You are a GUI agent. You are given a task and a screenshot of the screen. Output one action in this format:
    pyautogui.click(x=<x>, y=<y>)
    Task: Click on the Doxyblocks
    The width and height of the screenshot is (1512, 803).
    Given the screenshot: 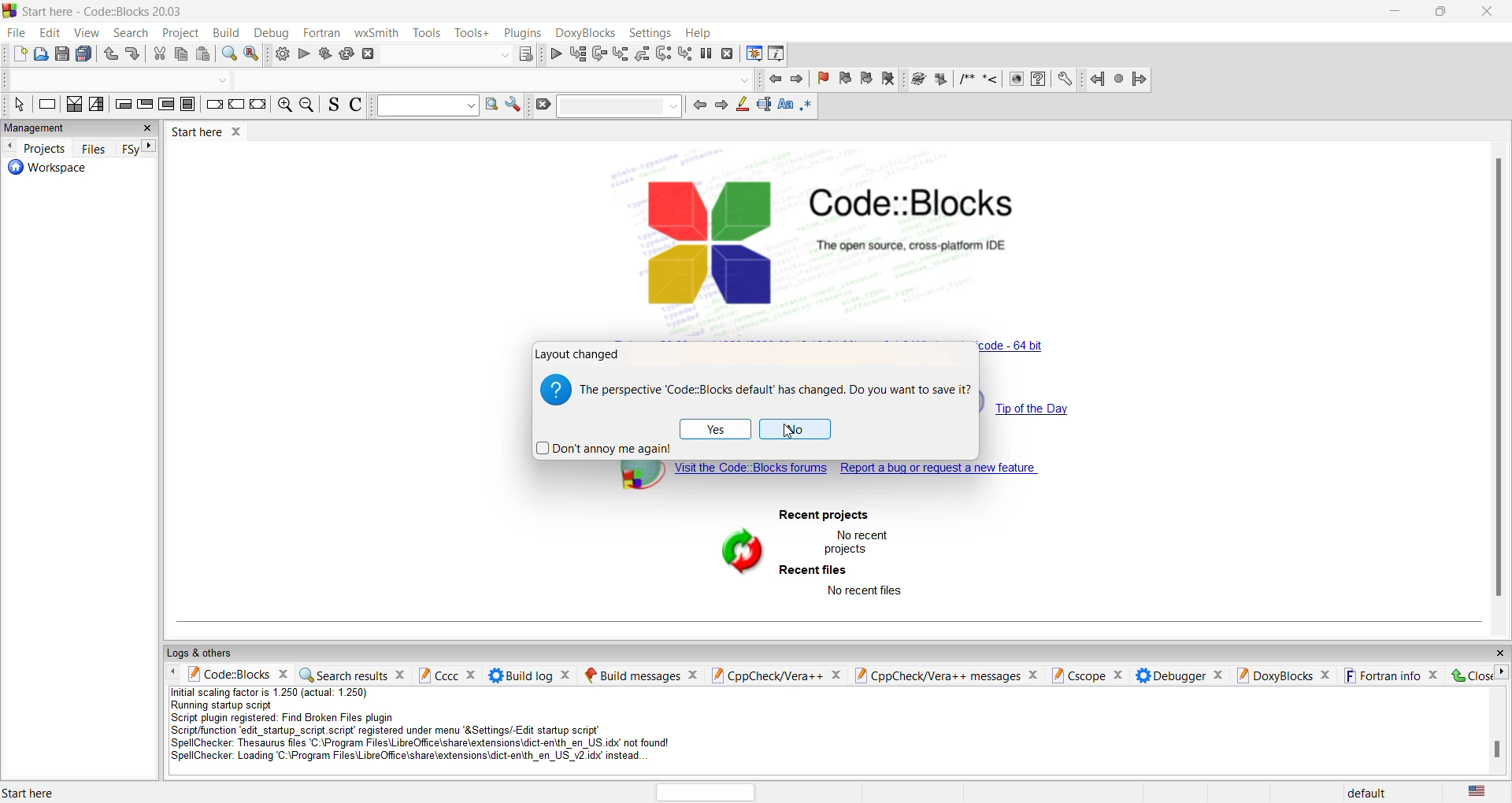 What is the action you would take?
    pyautogui.click(x=584, y=32)
    